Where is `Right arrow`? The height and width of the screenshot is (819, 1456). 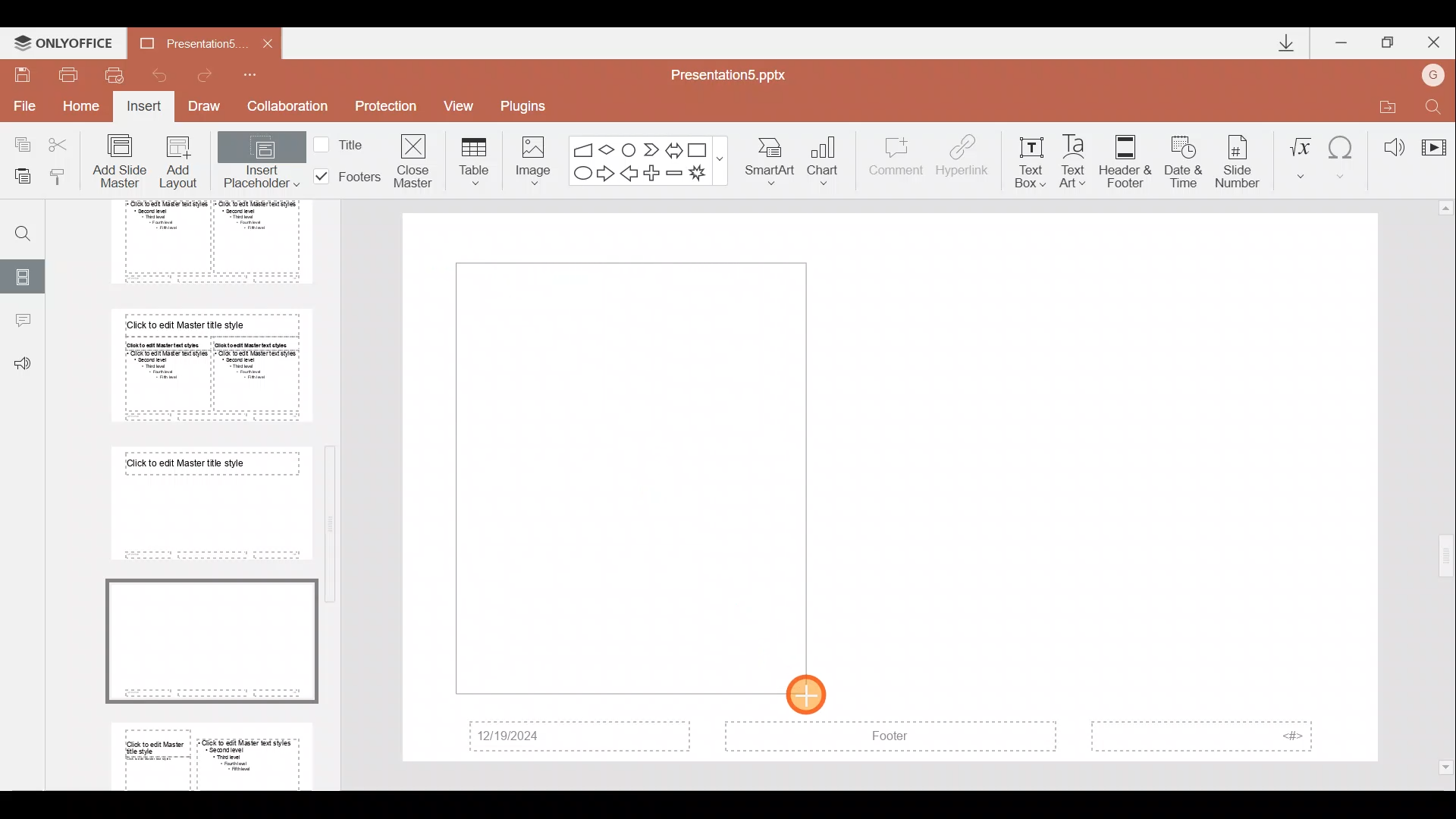
Right arrow is located at coordinates (605, 174).